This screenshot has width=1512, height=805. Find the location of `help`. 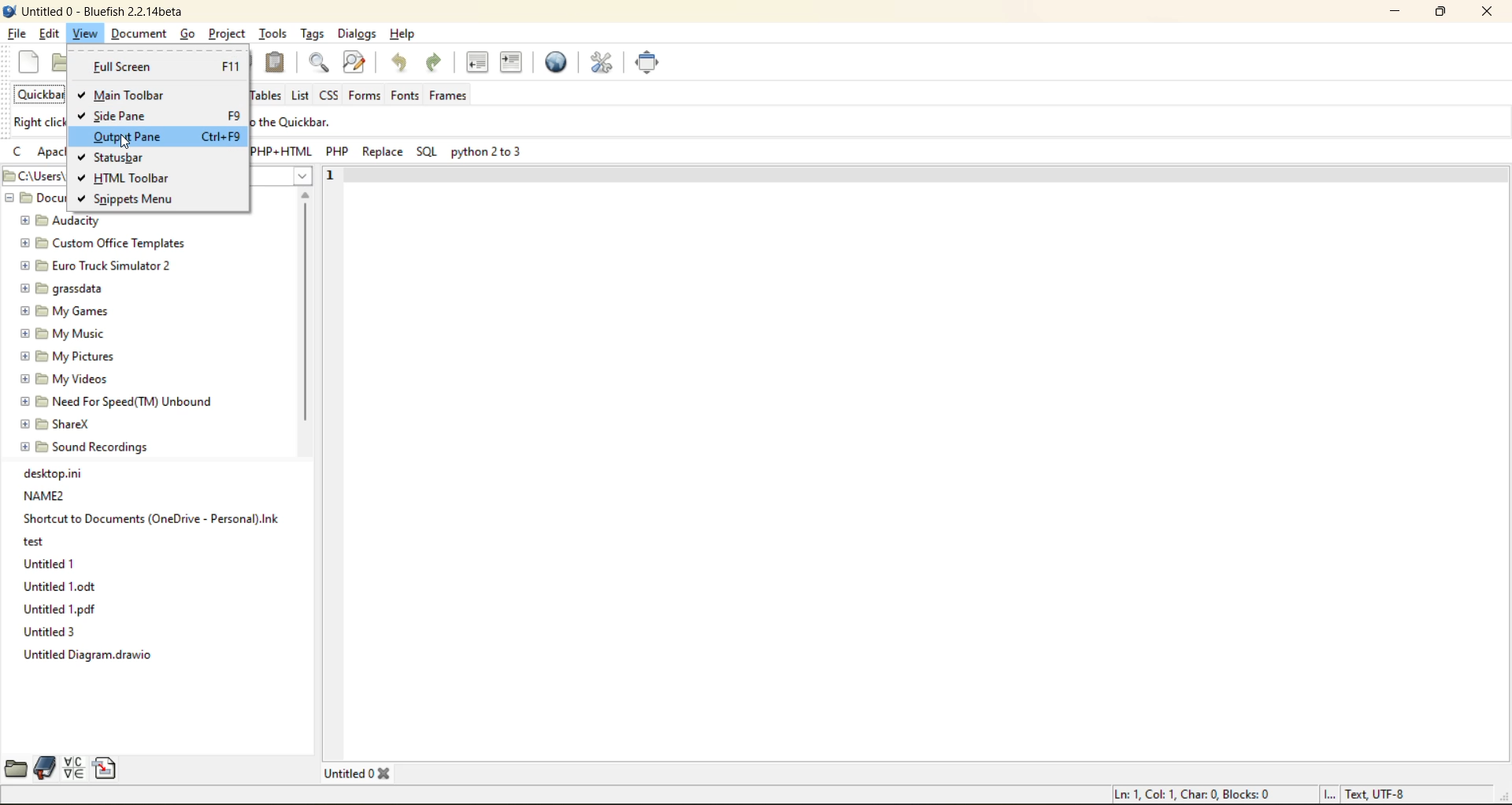

help is located at coordinates (402, 34).